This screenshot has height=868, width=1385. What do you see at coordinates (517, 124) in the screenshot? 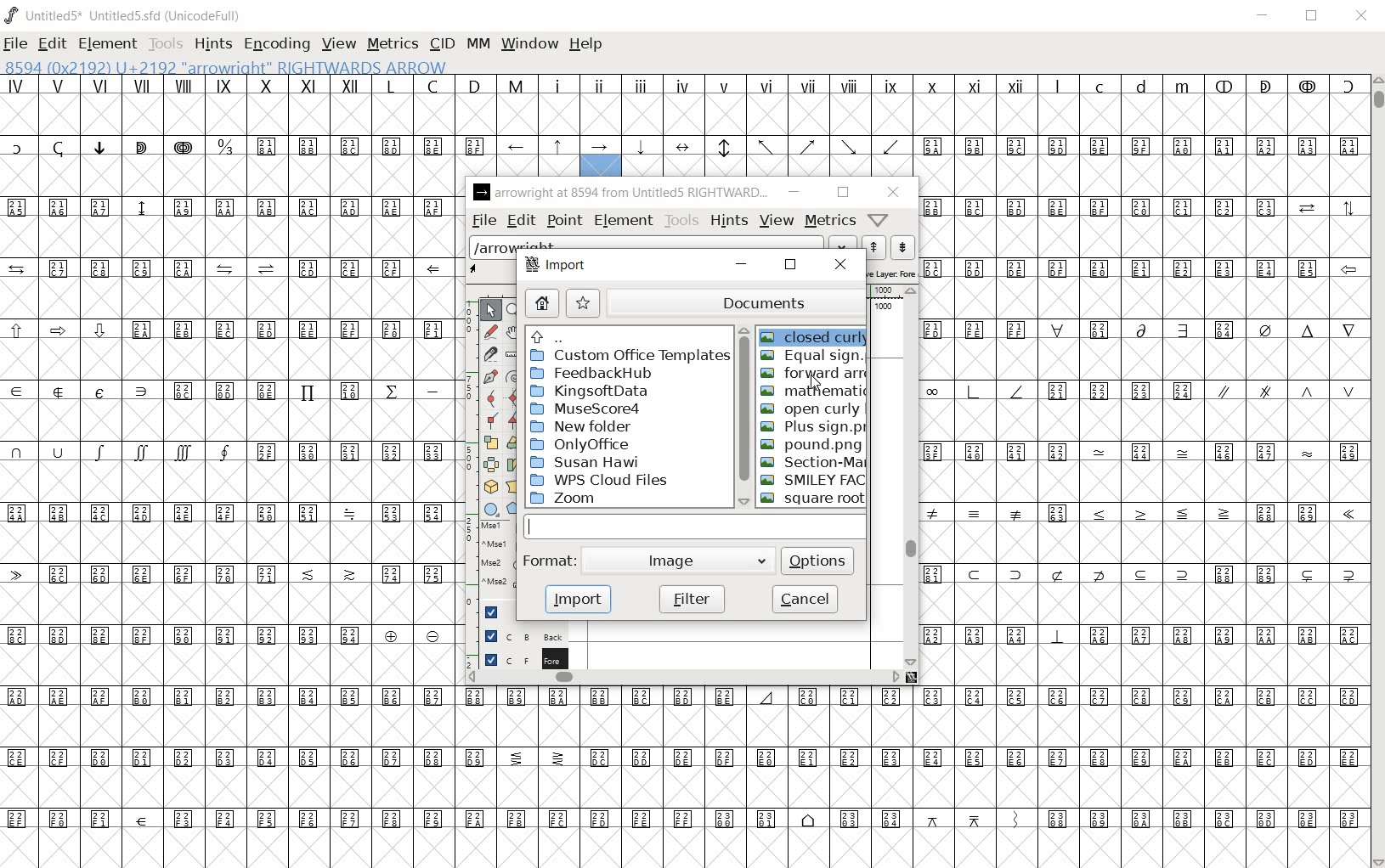
I see `gylph characters` at bounding box center [517, 124].